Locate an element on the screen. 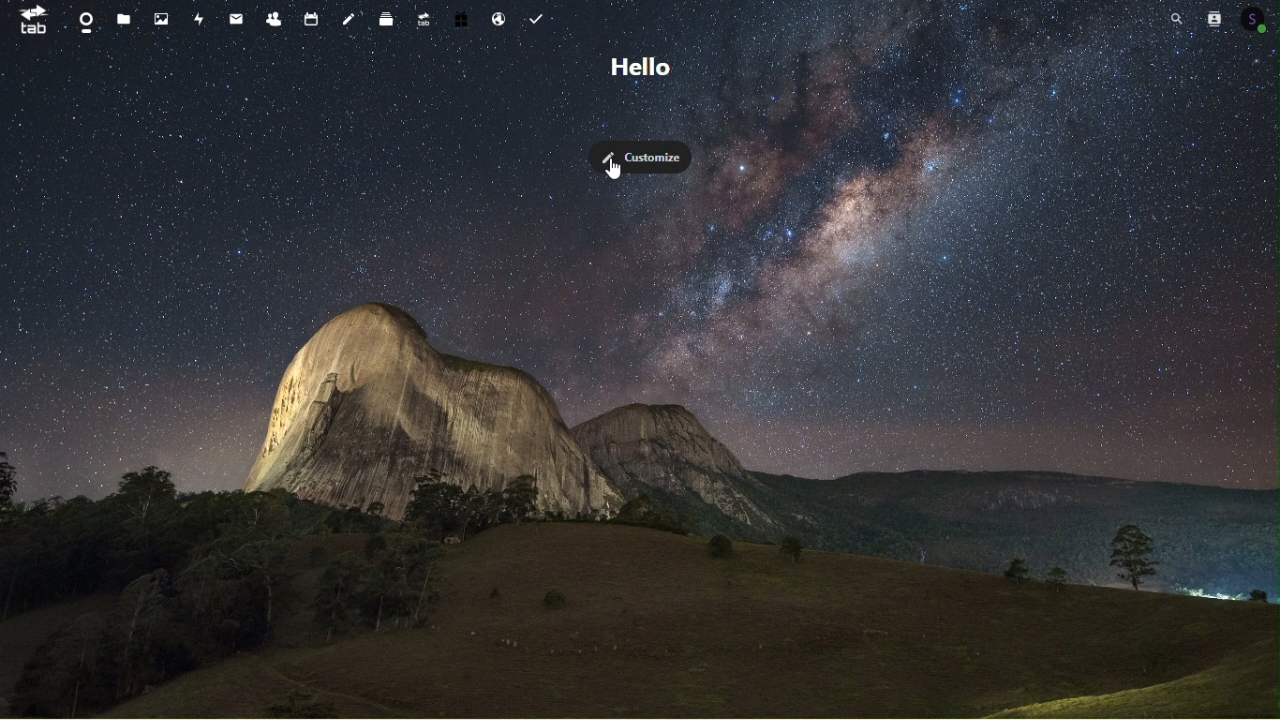 The width and height of the screenshot is (1280, 720). Search is located at coordinates (1177, 19).